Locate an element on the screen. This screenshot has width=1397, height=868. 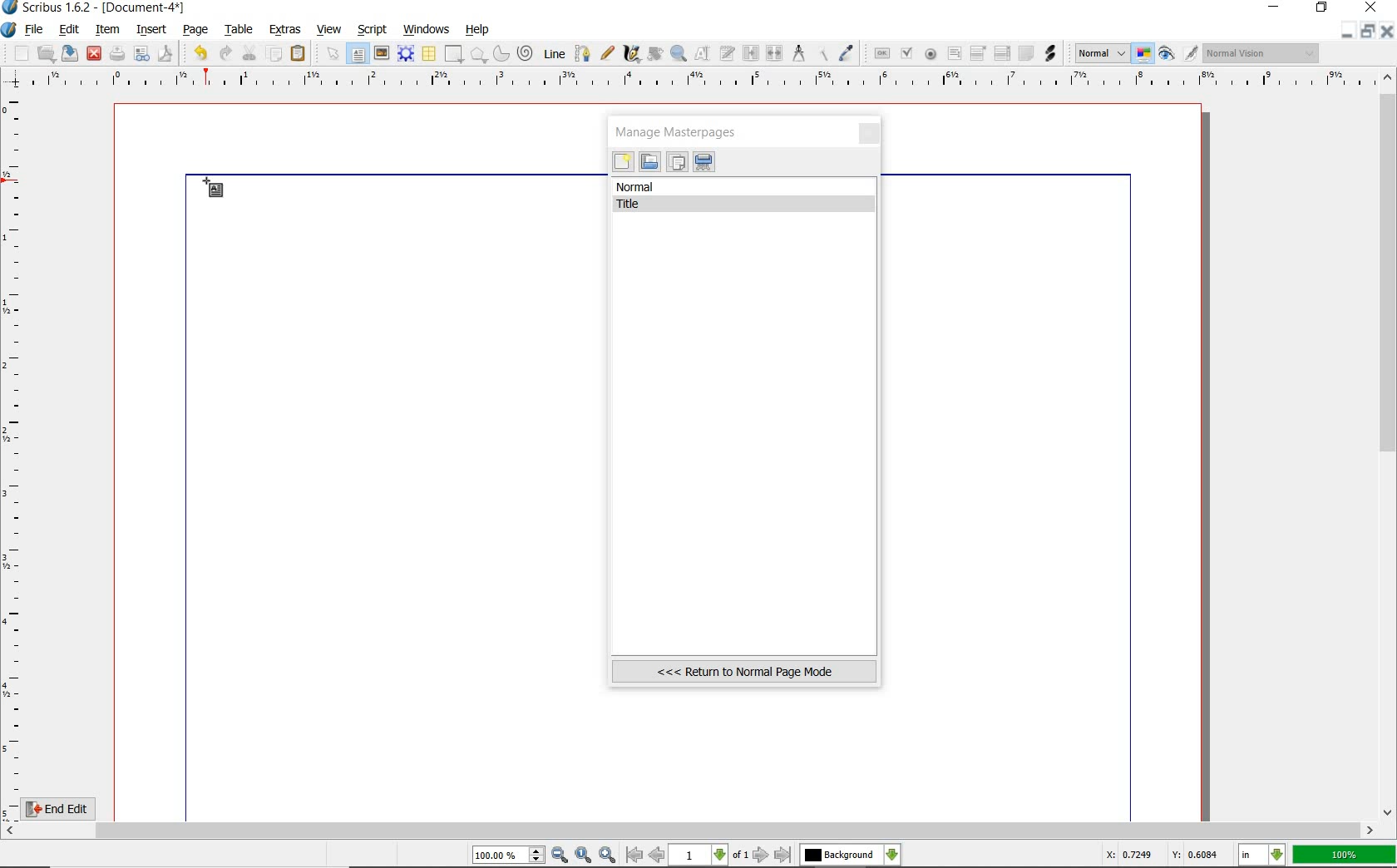
text frame is located at coordinates (215, 189).